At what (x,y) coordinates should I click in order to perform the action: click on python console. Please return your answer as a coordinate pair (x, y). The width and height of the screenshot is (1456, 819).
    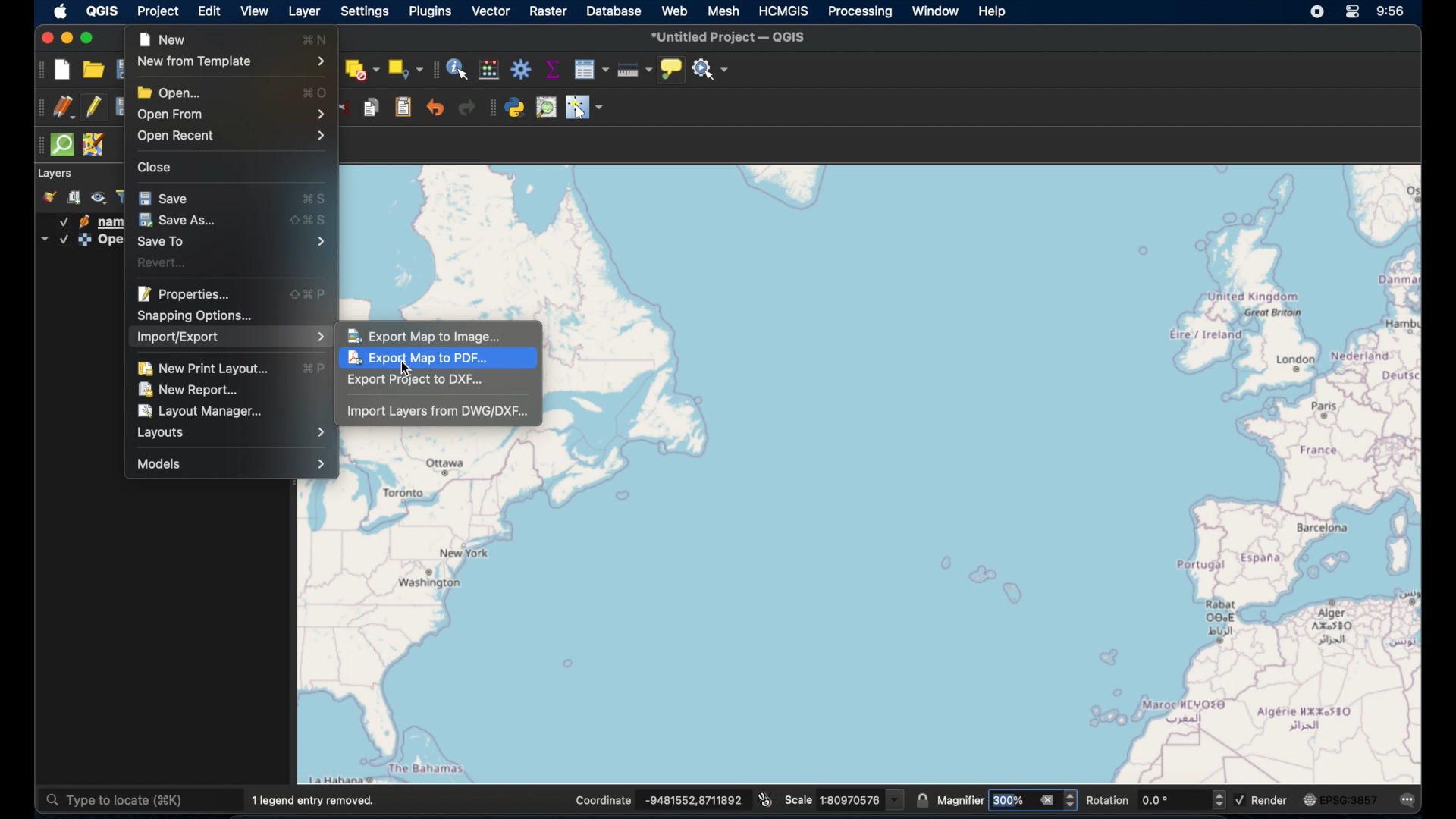
    Looking at the image, I should click on (515, 109).